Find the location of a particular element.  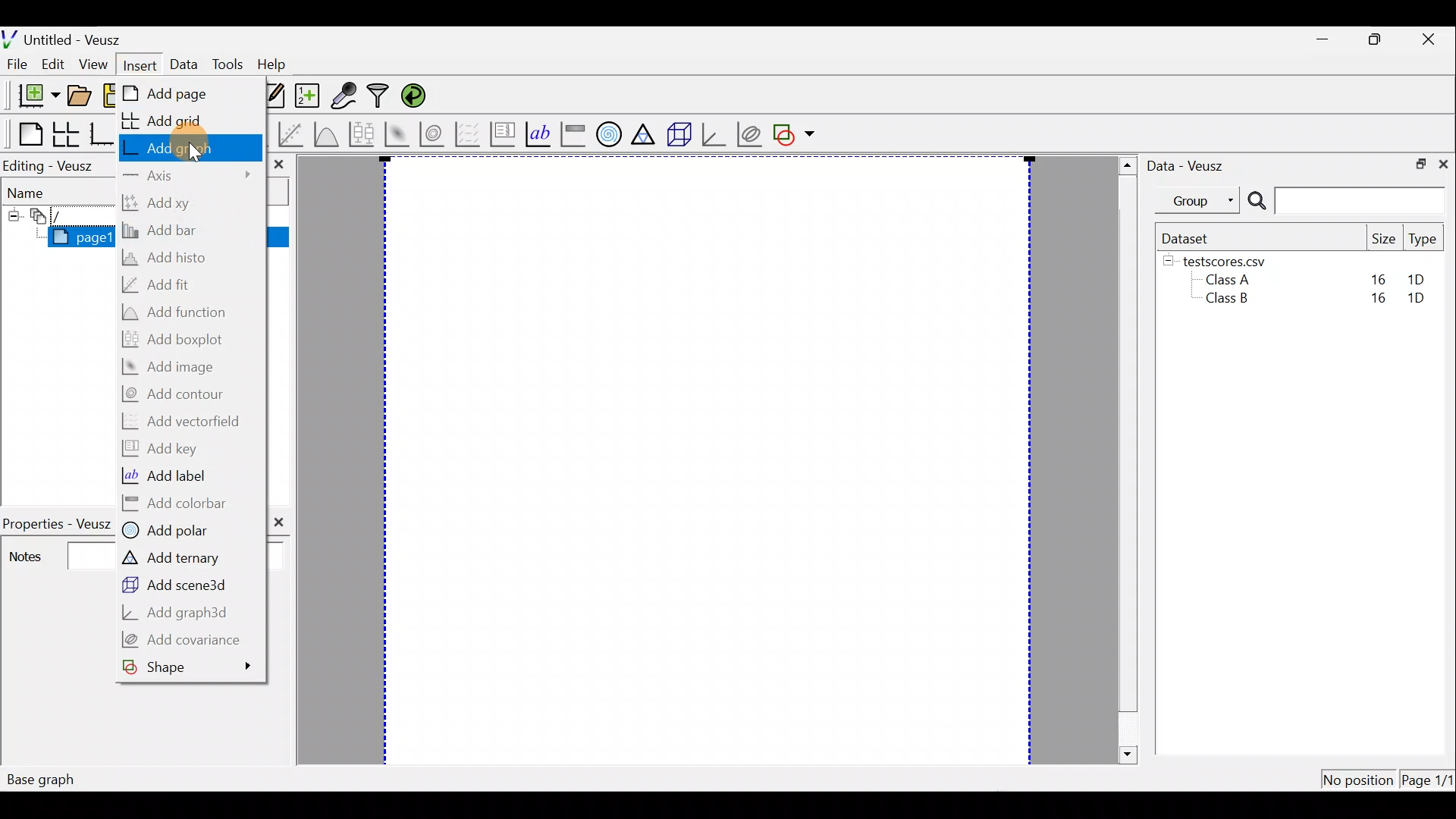

Base graph is located at coordinates (102, 132).